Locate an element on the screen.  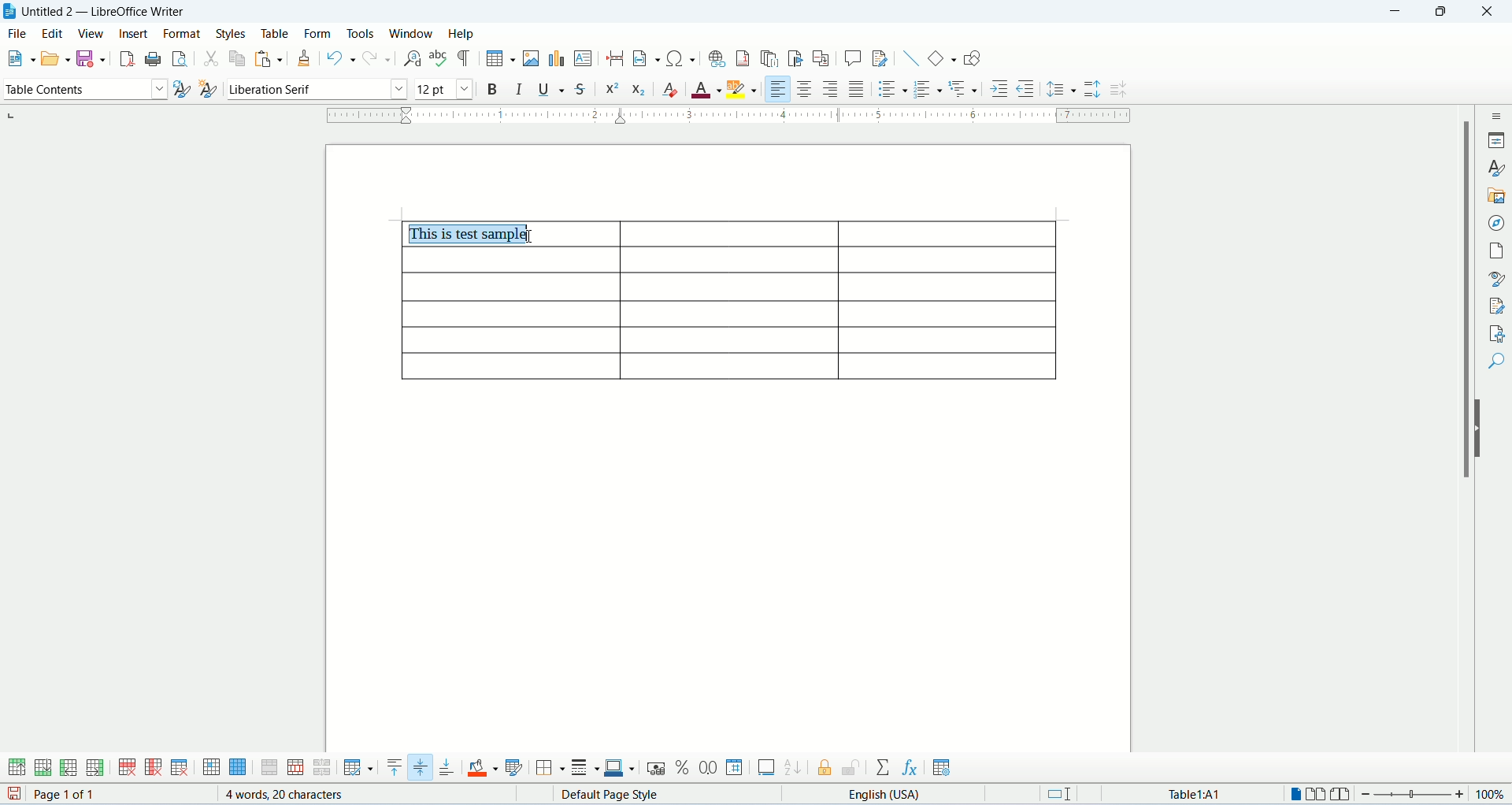
outline format is located at coordinates (965, 89).